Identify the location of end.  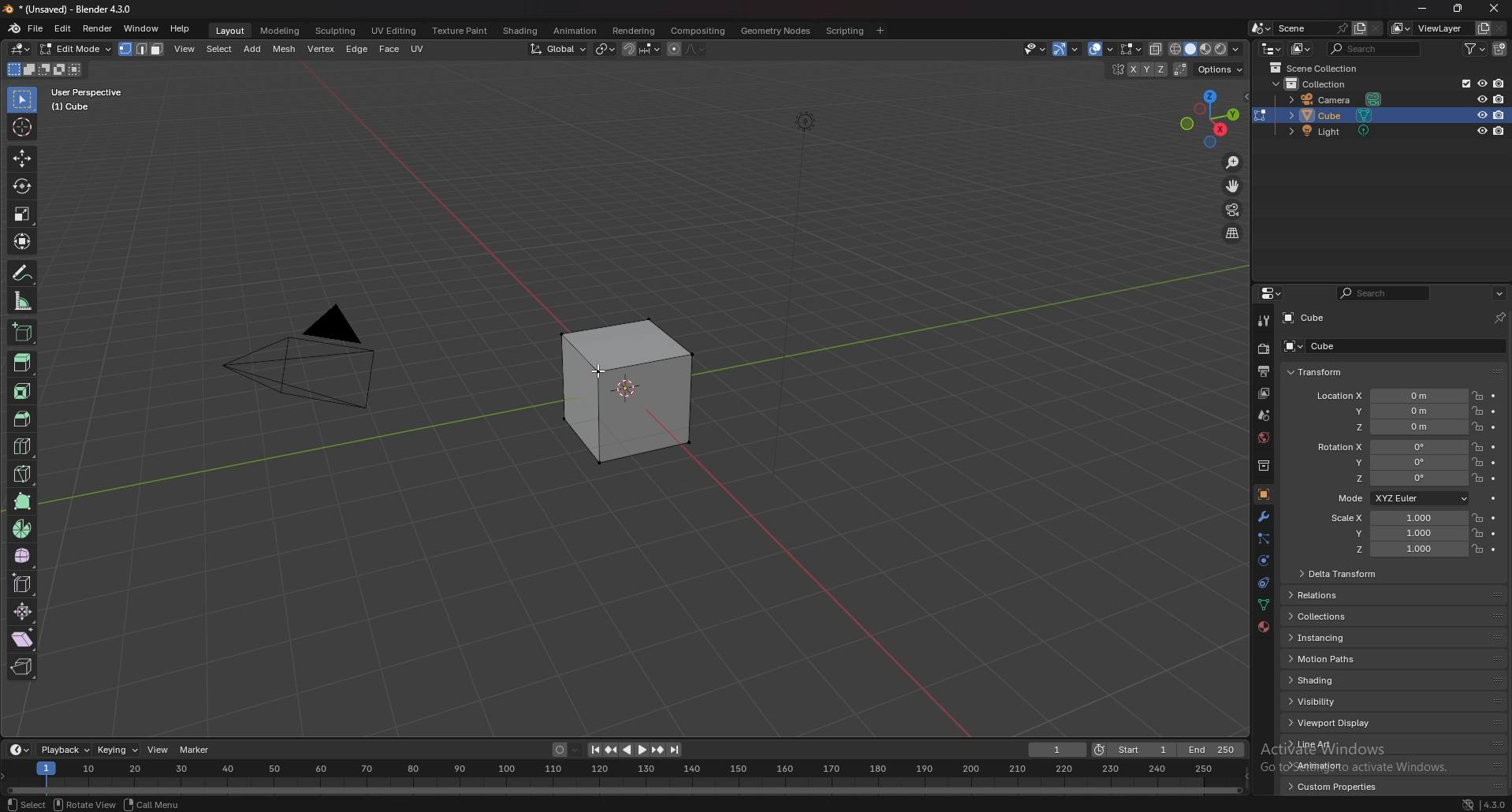
(1210, 750).